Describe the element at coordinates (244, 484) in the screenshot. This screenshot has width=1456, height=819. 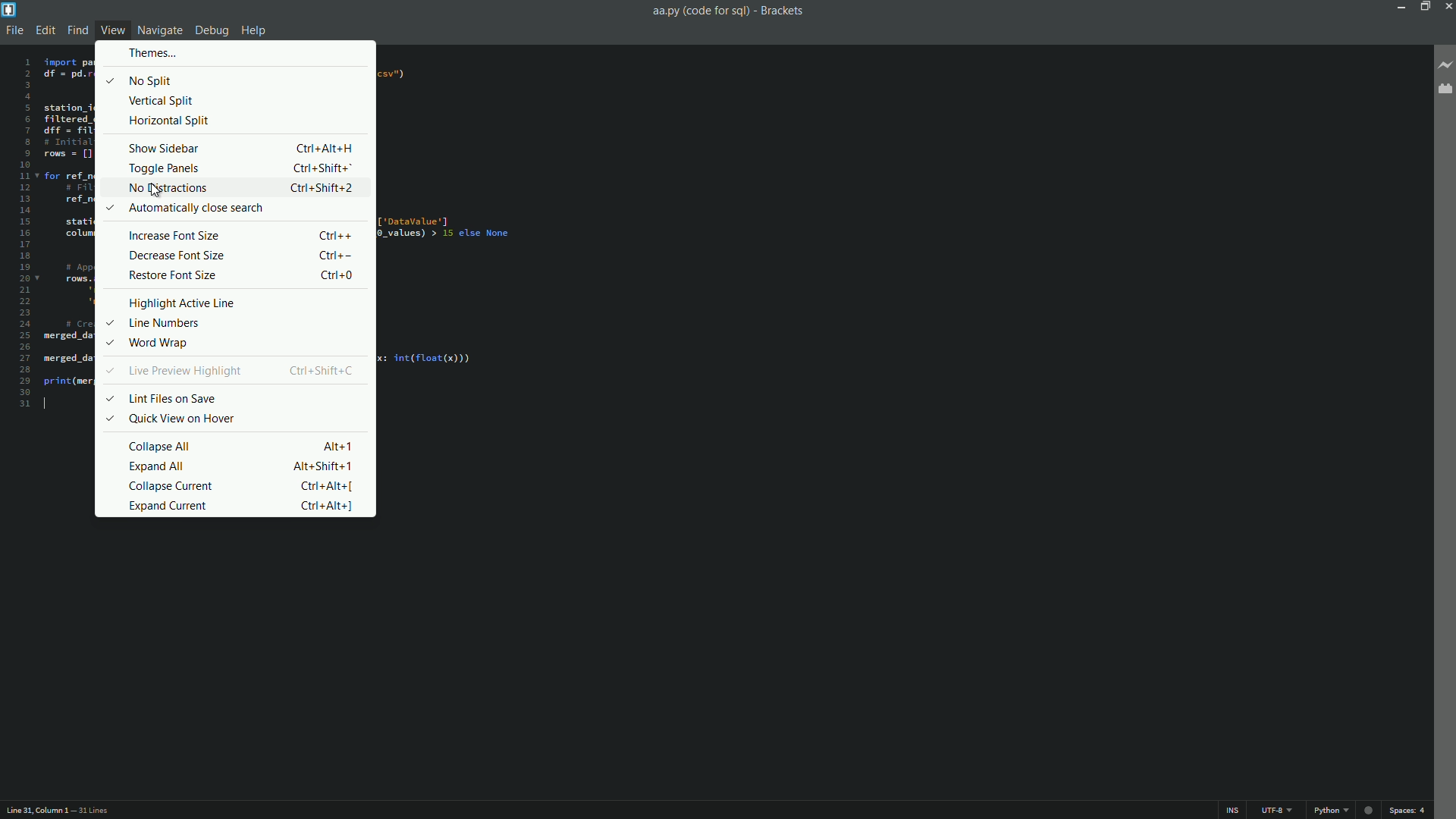
I see `collapse current Ctrl + Alt + [` at that location.